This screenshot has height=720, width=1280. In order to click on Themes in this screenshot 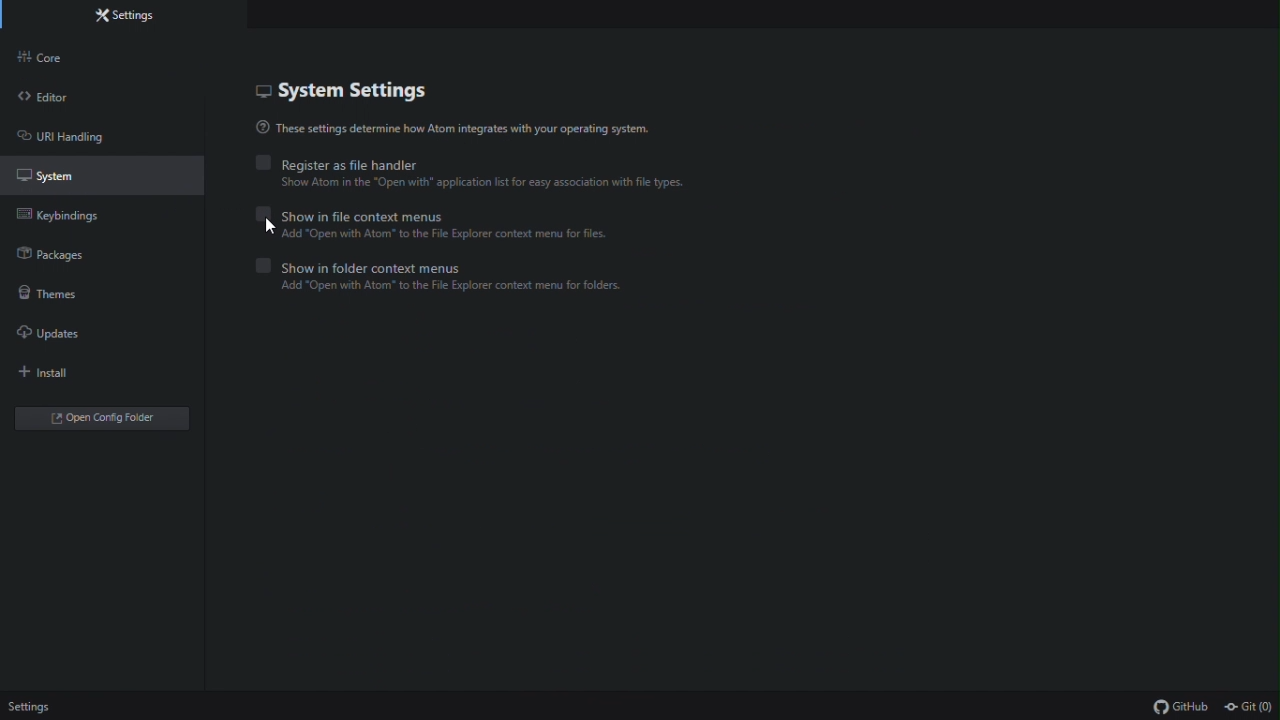, I will do `click(64, 294)`.